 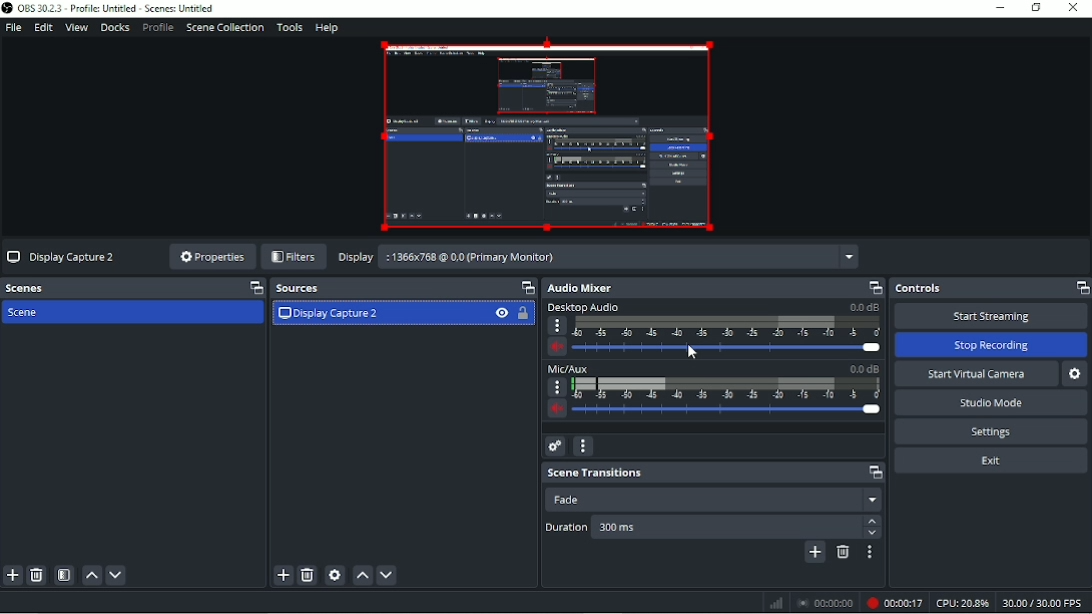 I want to click on Filters, so click(x=294, y=257).